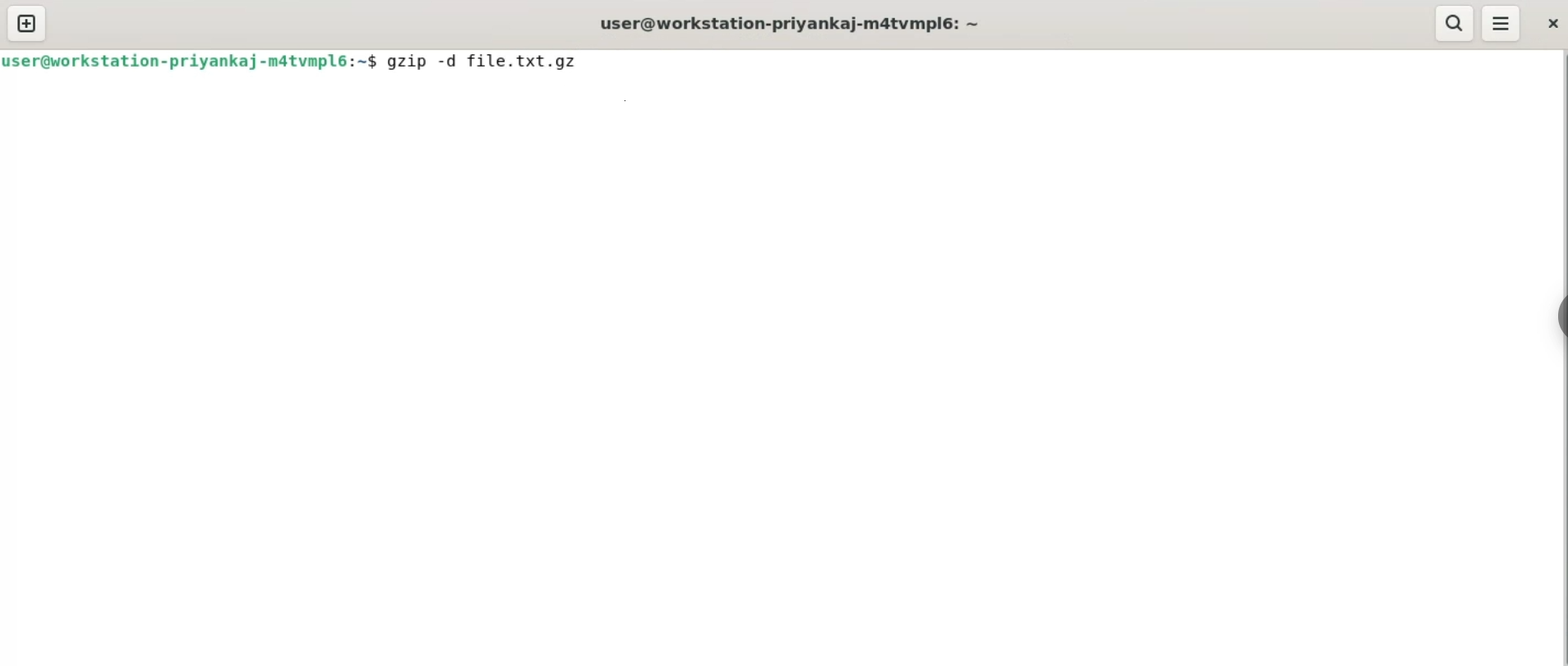  I want to click on new tab, so click(28, 25).